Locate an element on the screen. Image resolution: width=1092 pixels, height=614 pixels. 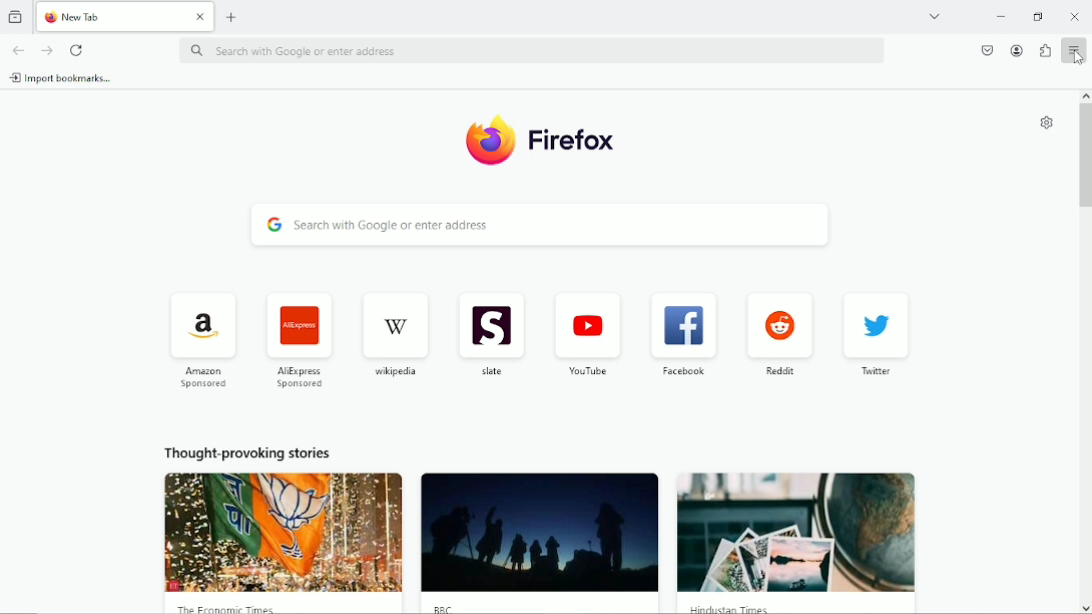
AliExpress is located at coordinates (295, 319).